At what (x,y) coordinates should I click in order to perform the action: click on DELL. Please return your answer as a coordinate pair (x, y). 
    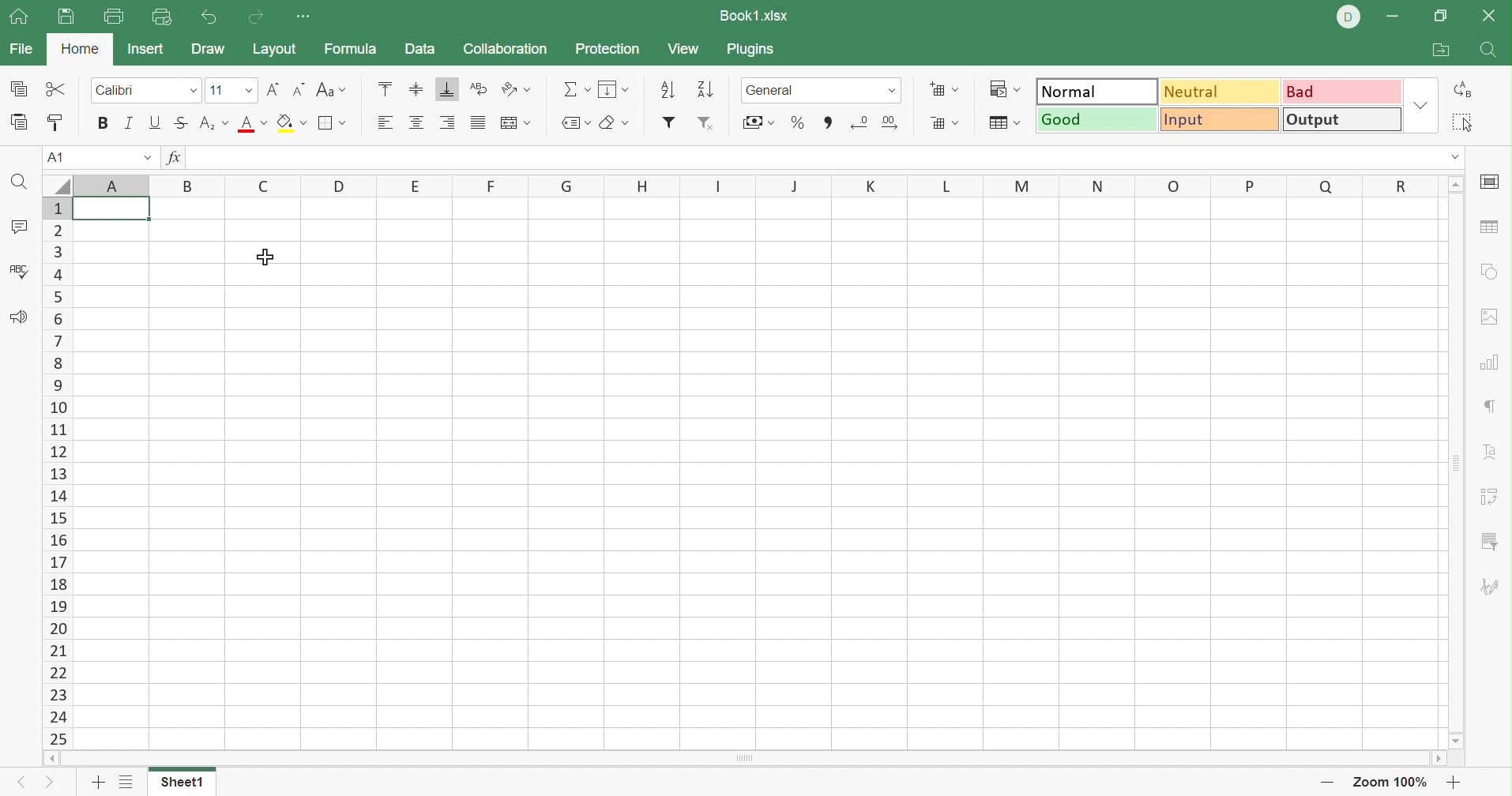
    Looking at the image, I should click on (1348, 17).